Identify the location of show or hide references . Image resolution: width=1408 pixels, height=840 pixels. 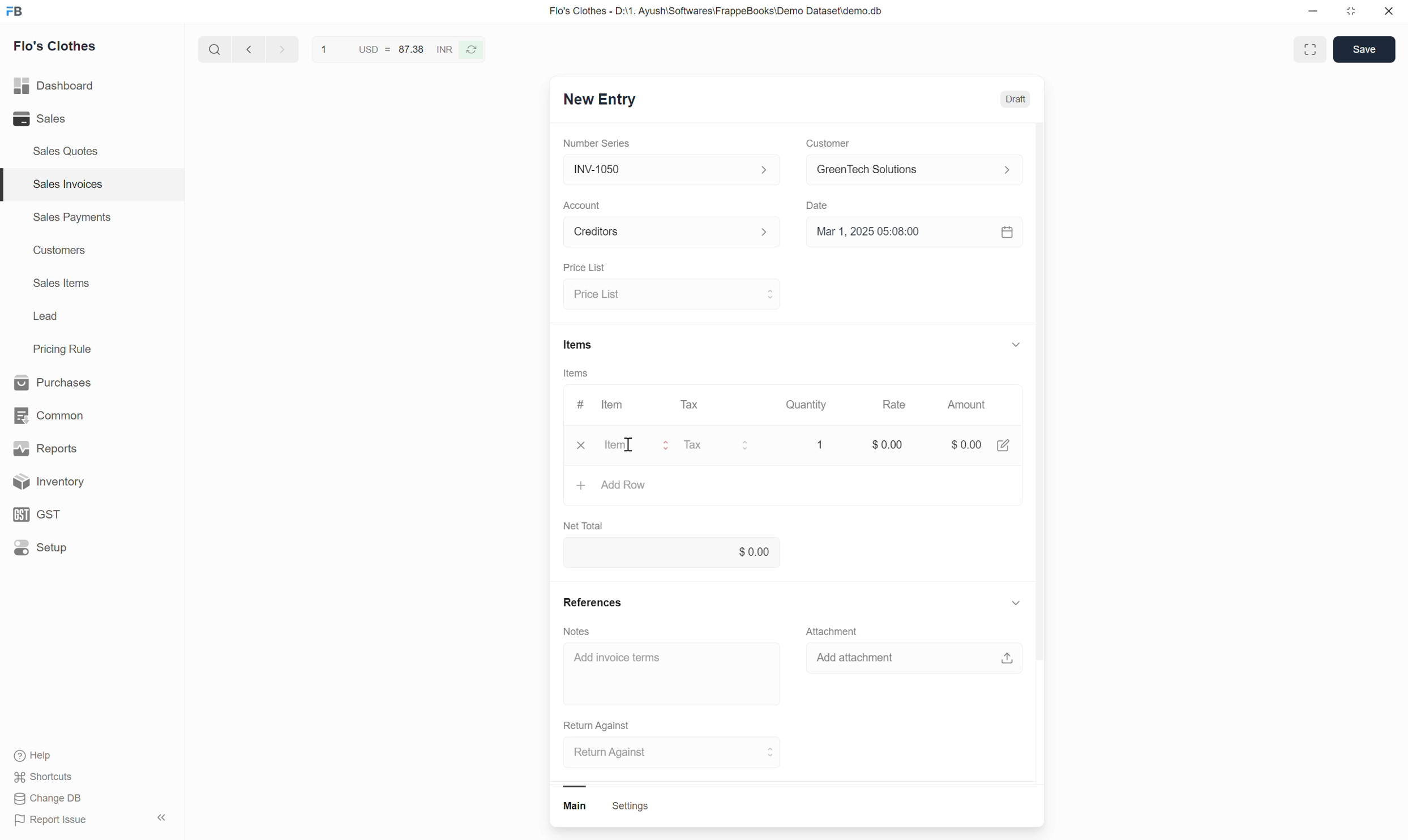
(1017, 606).